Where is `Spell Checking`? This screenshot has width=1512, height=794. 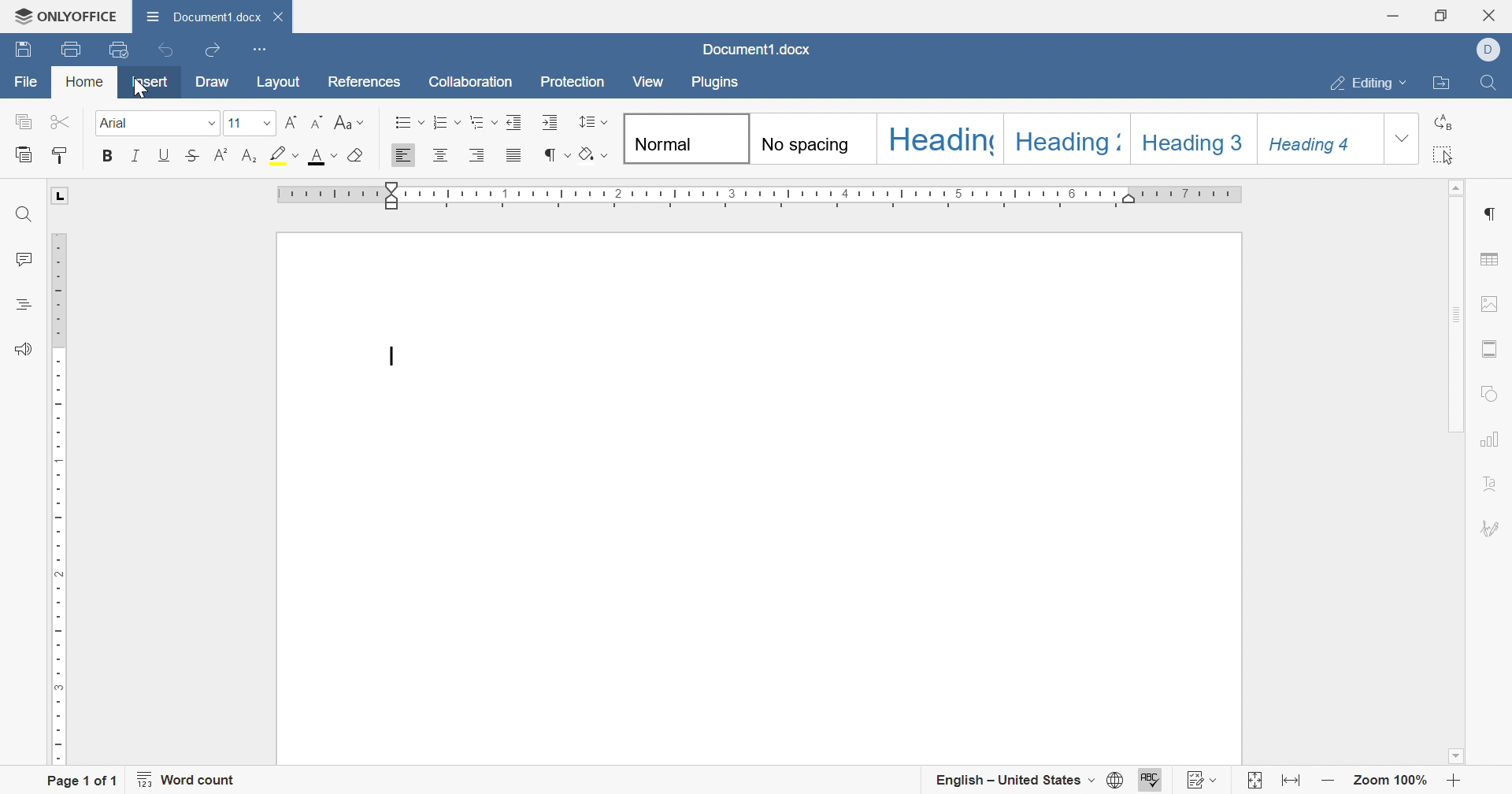
Spell Checking is located at coordinates (21, 305).